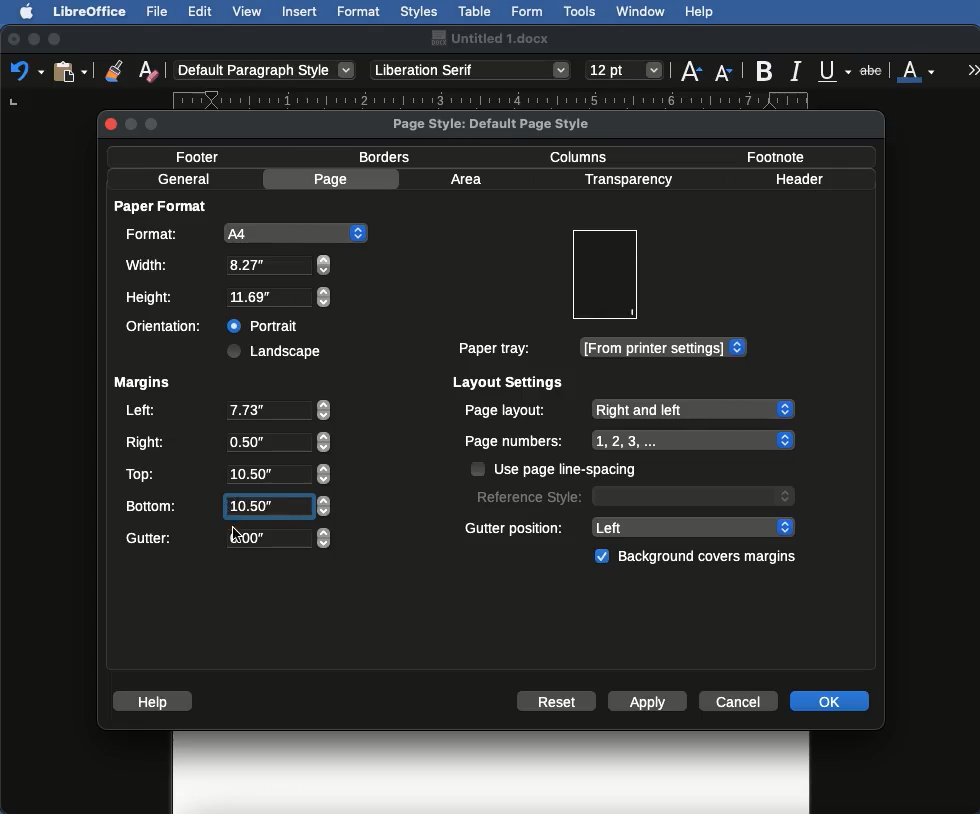 Image resolution: width=980 pixels, height=814 pixels. What do you see at coordinates (234, 536) in the screenshot?
I see `` at bounding box center [234, 536].